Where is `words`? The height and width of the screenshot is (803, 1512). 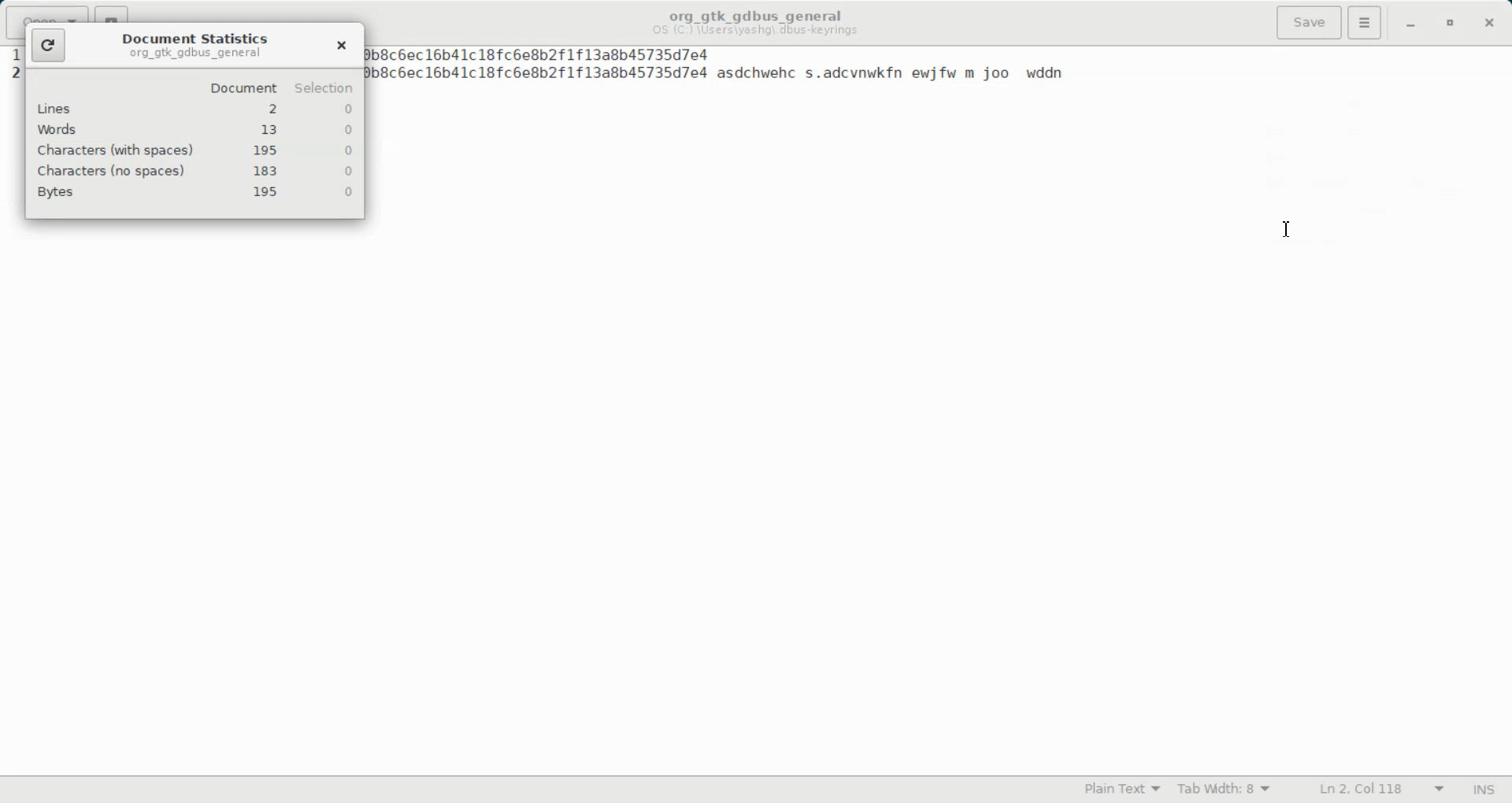
words is located at coordinates (57, 131).